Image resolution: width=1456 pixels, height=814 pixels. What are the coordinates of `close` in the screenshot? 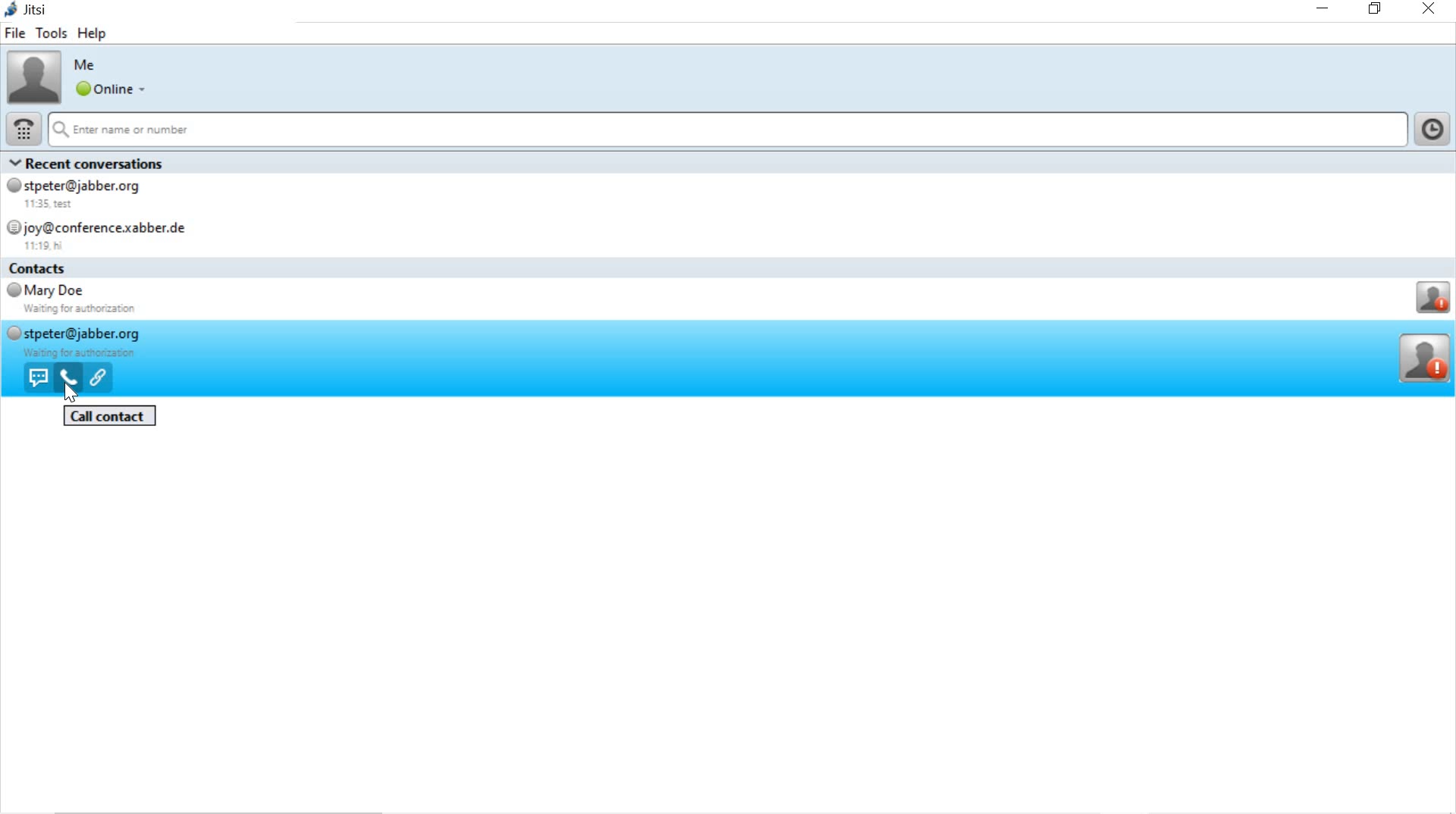 It's located at (1429, 9).